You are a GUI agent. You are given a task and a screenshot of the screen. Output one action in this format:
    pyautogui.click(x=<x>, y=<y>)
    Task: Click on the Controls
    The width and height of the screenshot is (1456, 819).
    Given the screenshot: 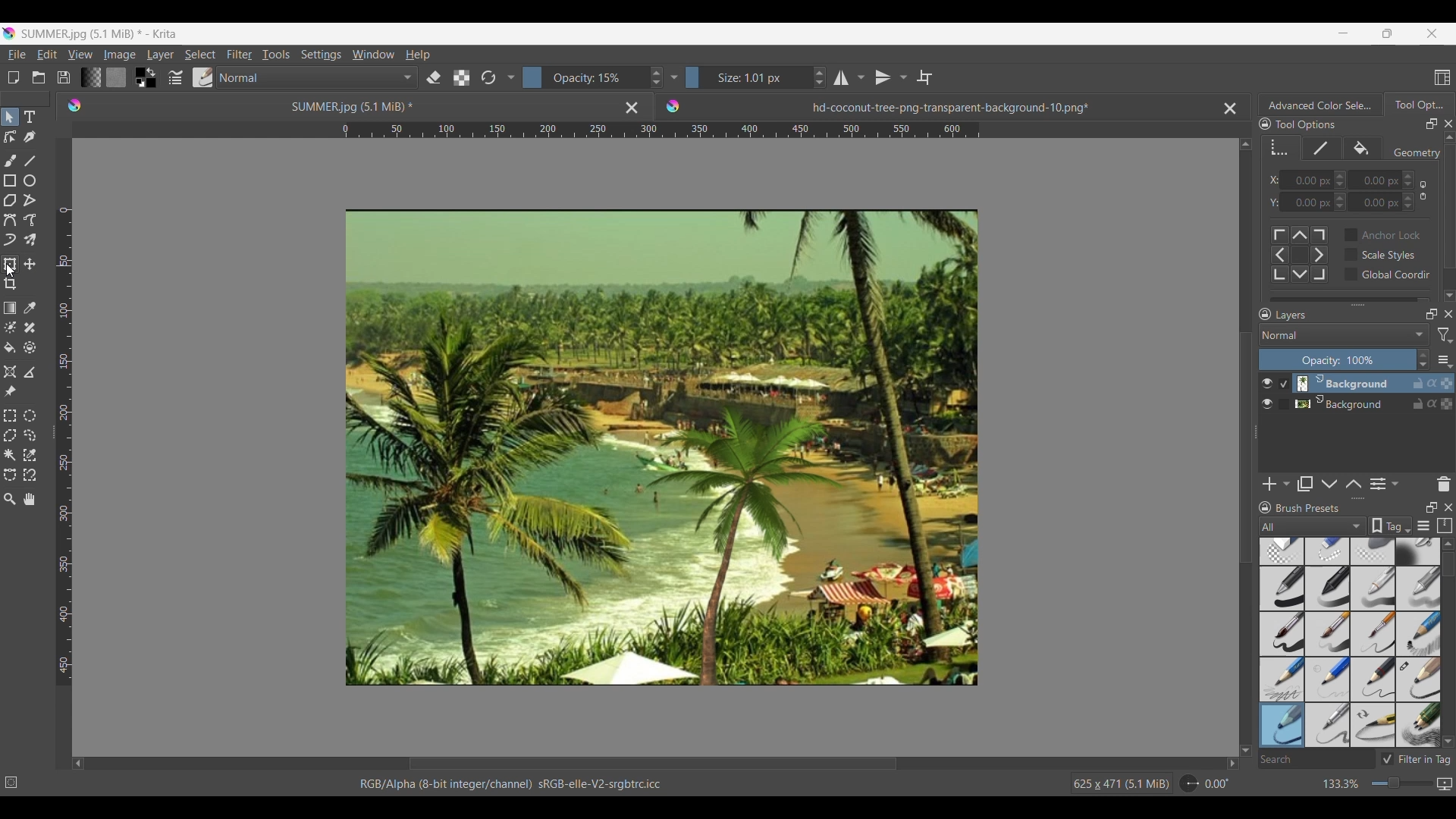 What is the action you would take?
    pyautogui.click(x=1299, y=253)
    